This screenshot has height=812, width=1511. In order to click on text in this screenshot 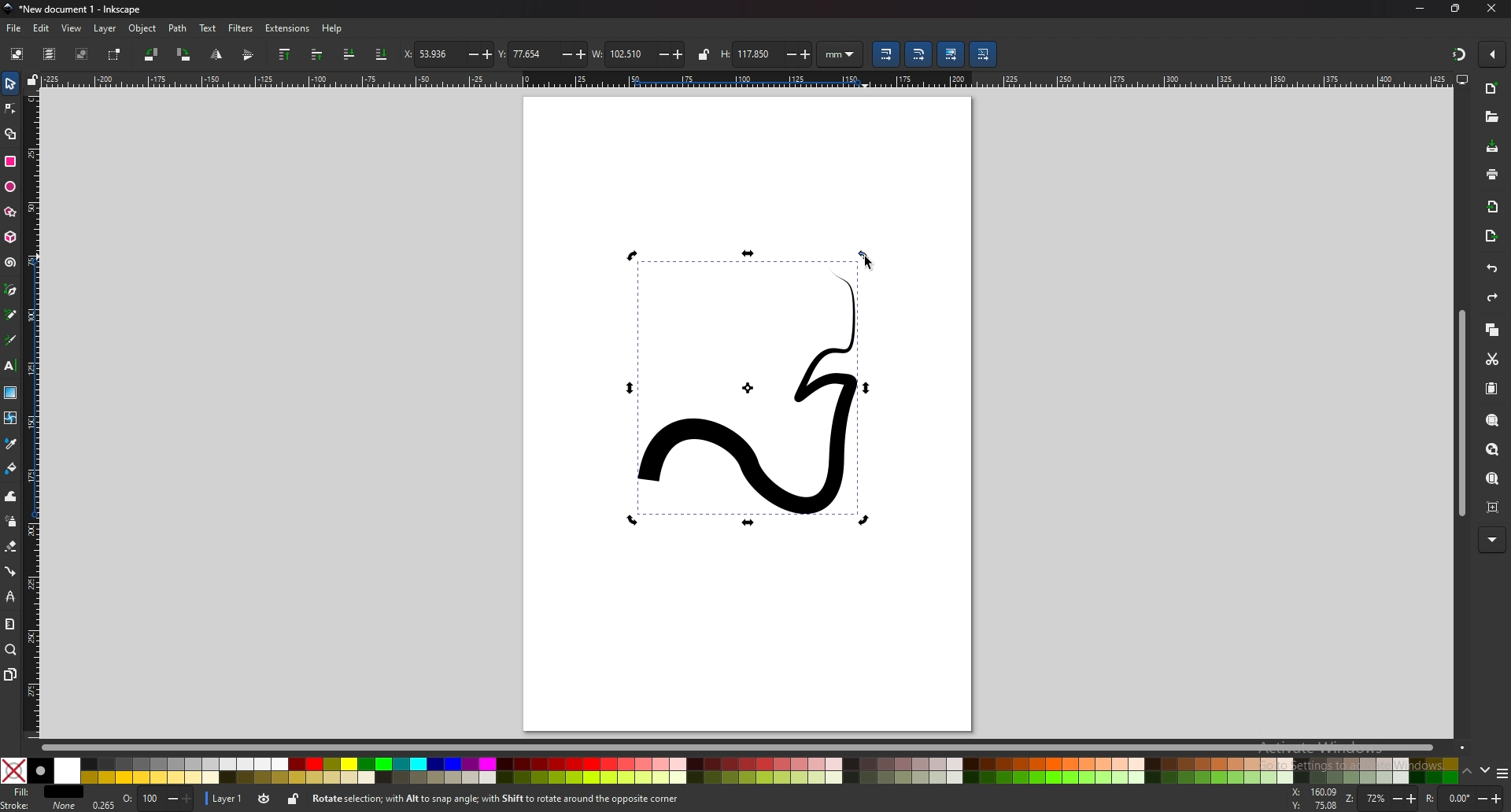, I will do `click(208, 28)`.